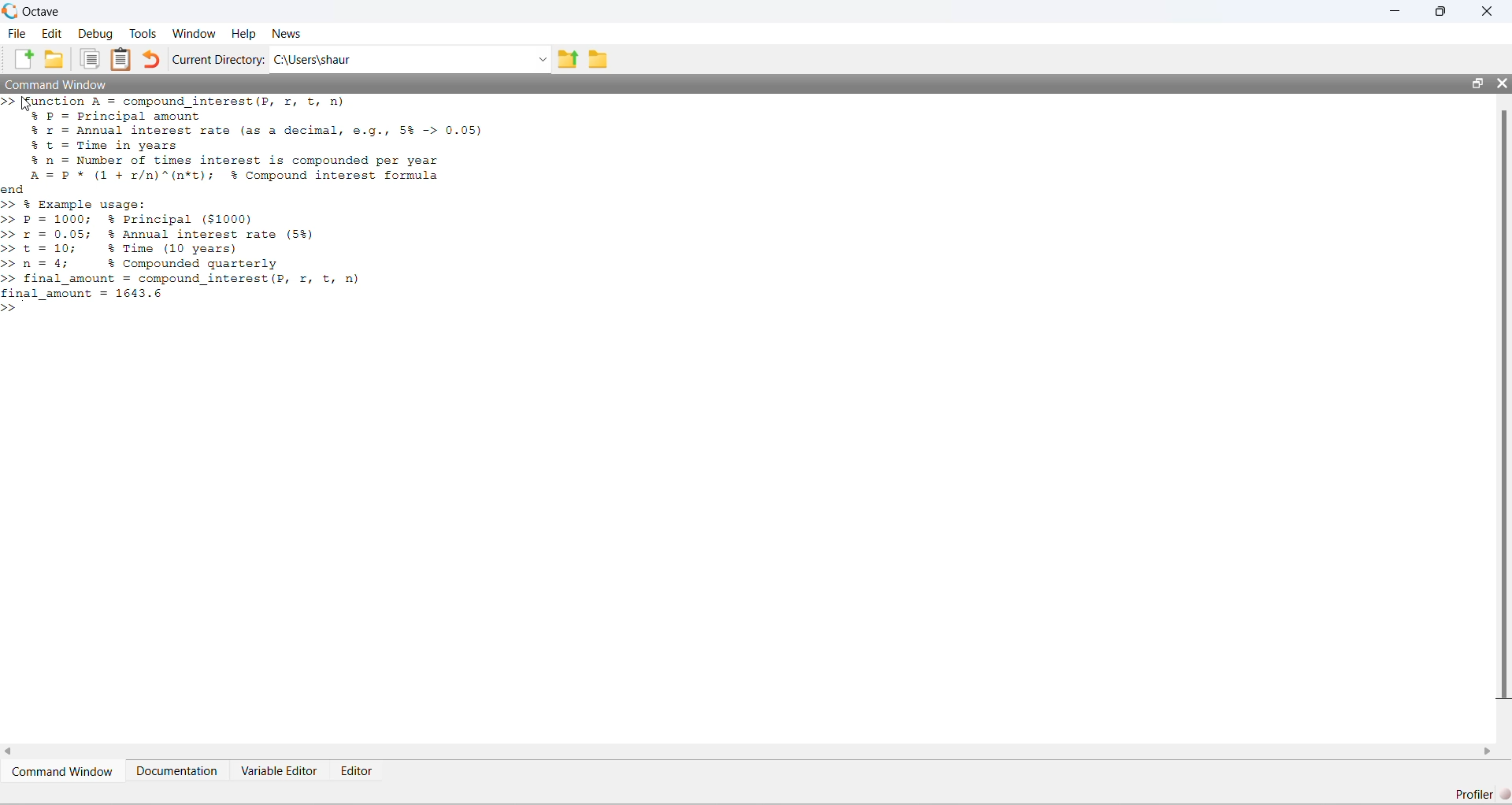  What do you see at coordinates (55, 59) in the screenshot?
I see `New Folder` at bounding box center [55, 59].